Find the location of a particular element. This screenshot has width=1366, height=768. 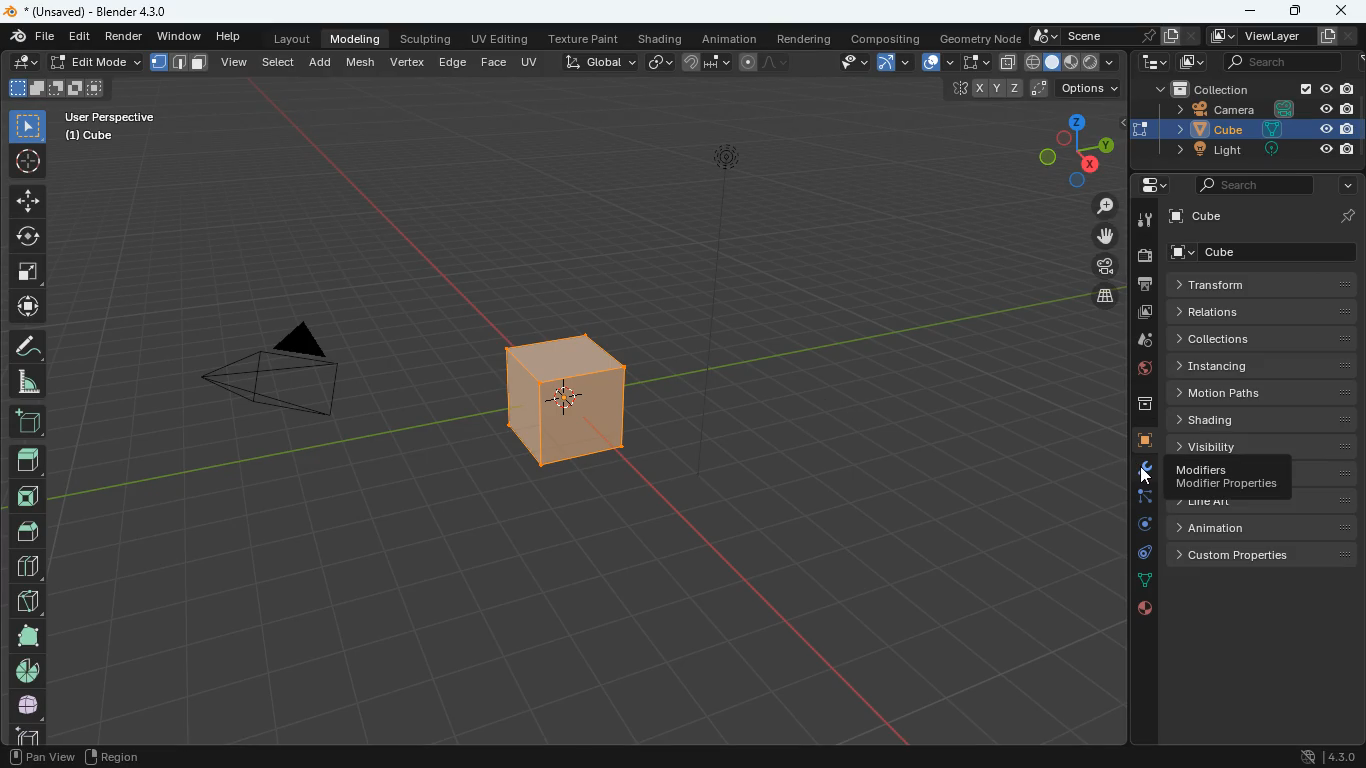

add is located at coordinates (26, 423).